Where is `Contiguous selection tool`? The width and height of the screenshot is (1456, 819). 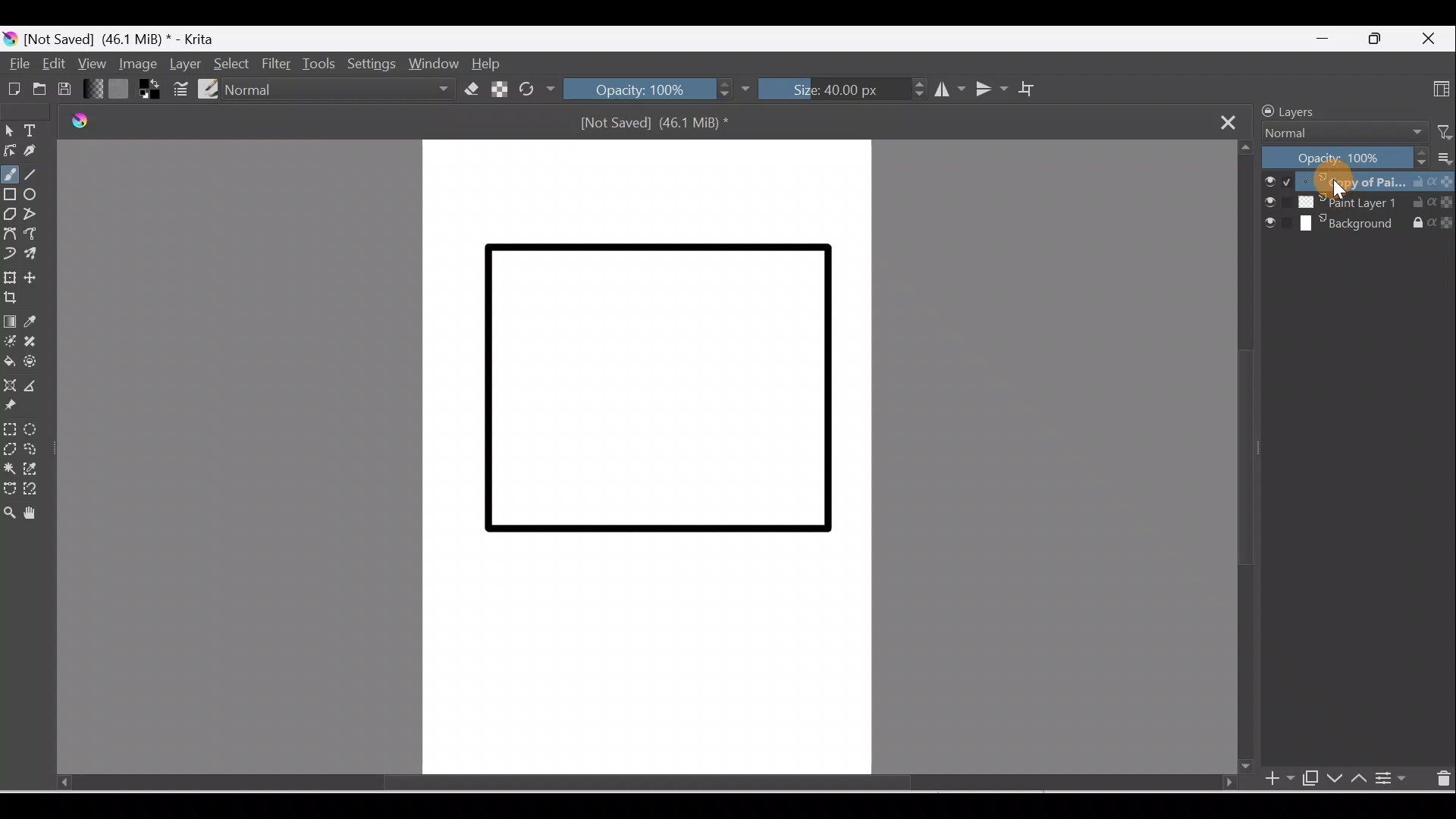
Contiguous selection tool is located at coordinates (9, 469).